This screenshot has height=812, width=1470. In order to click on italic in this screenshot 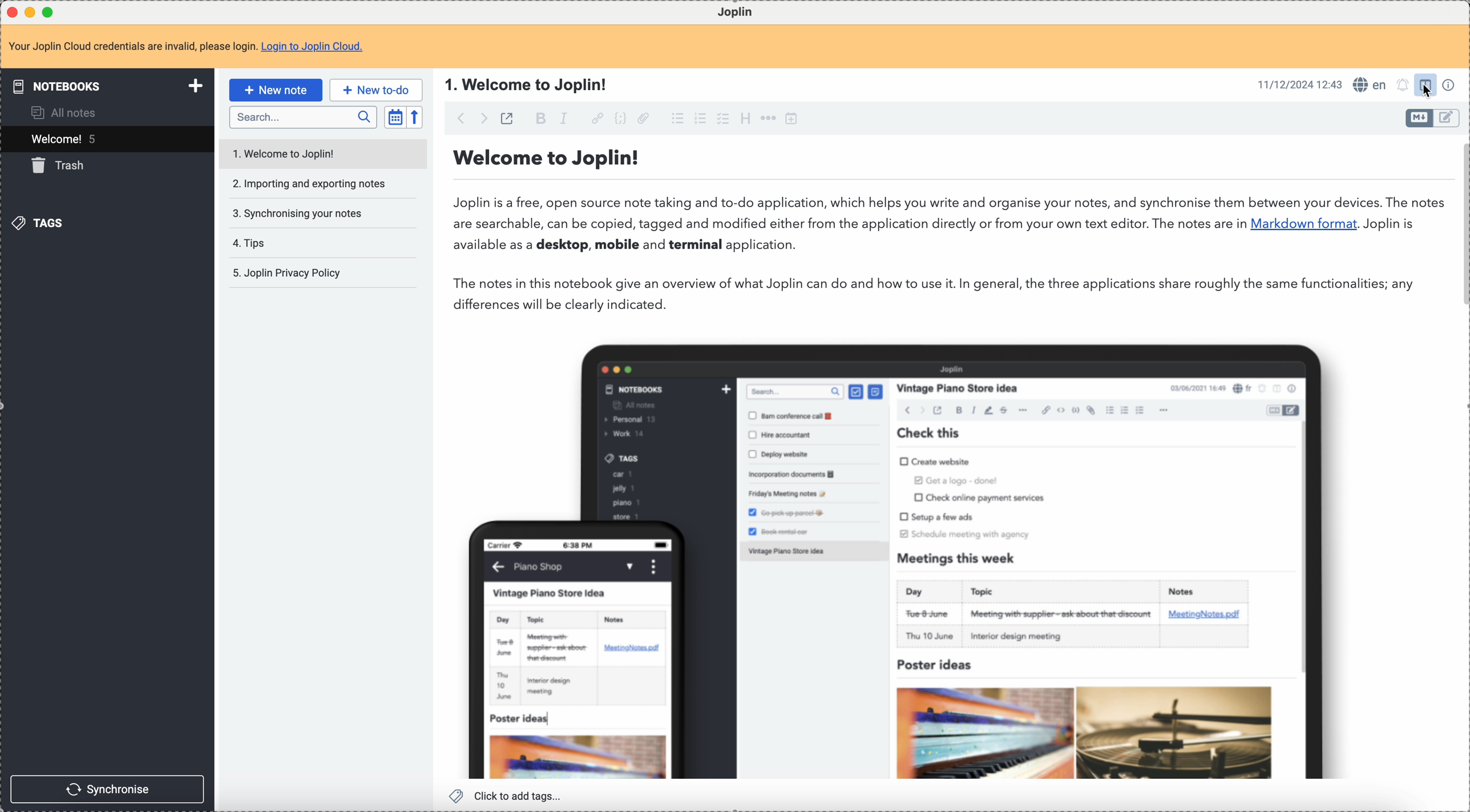, I will do `click(564, 119)`.